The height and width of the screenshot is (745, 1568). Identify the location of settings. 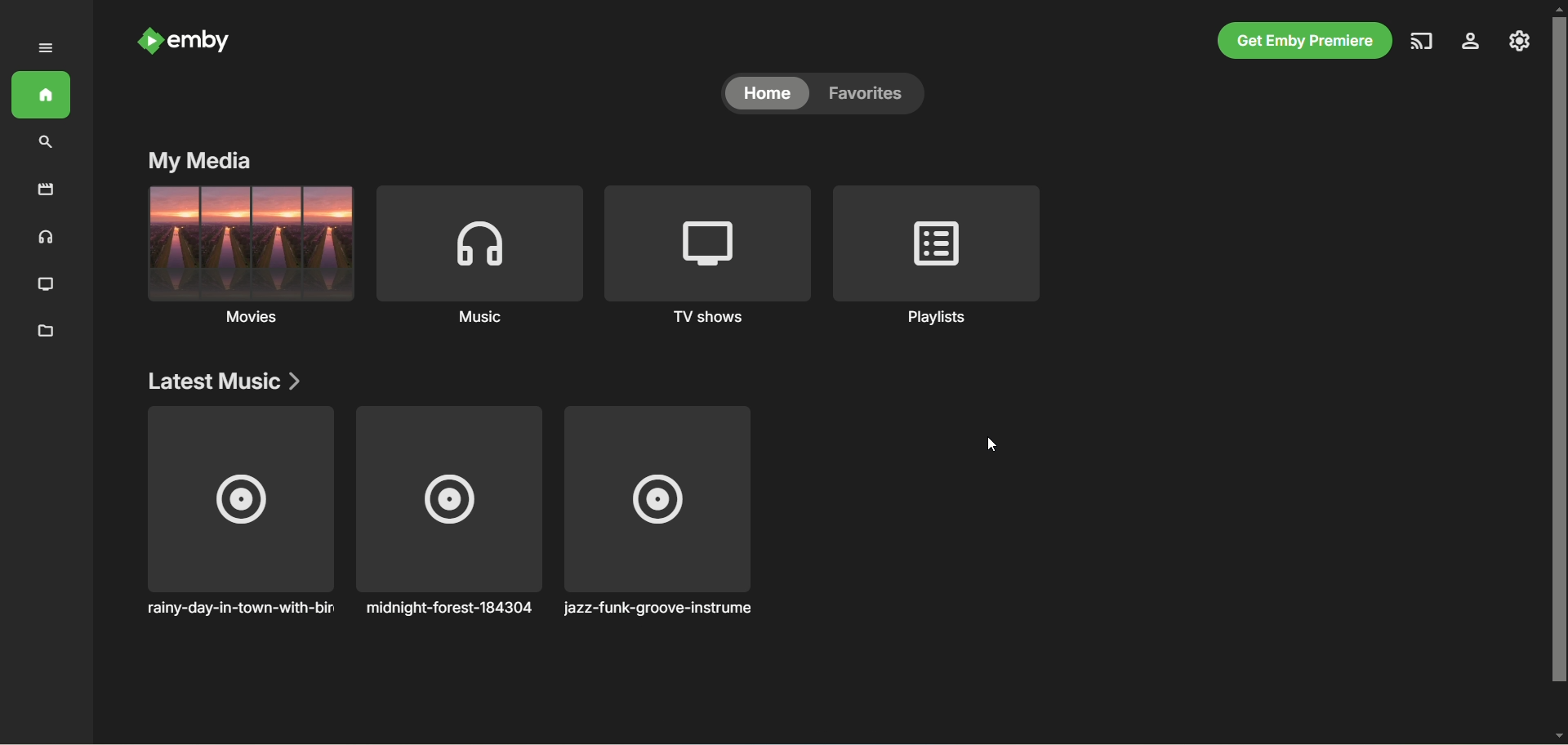
(1471, 42).